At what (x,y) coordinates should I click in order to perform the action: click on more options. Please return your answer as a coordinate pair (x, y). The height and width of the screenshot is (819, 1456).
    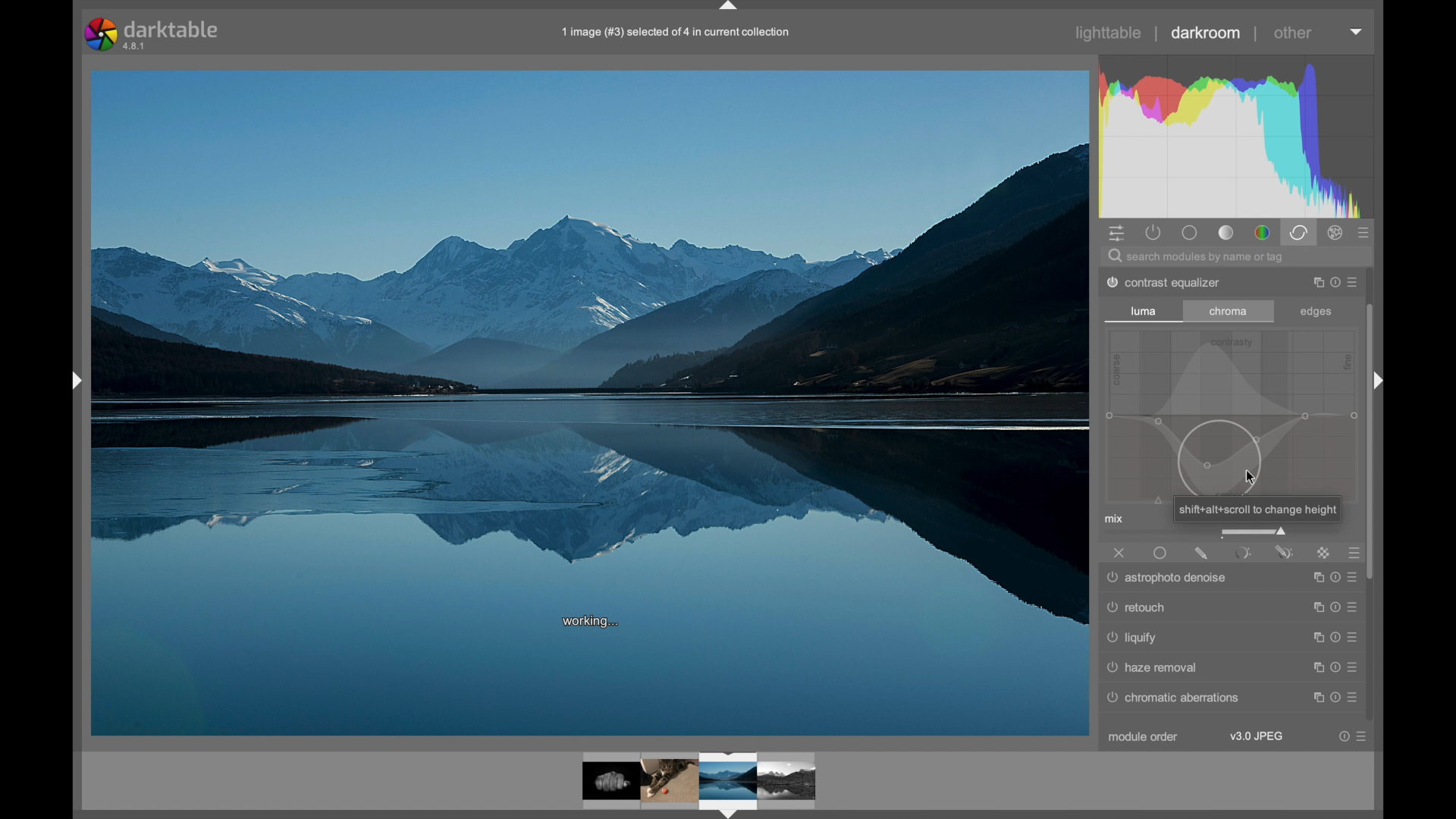
    Looking at the image, I should click on (1332, 608).